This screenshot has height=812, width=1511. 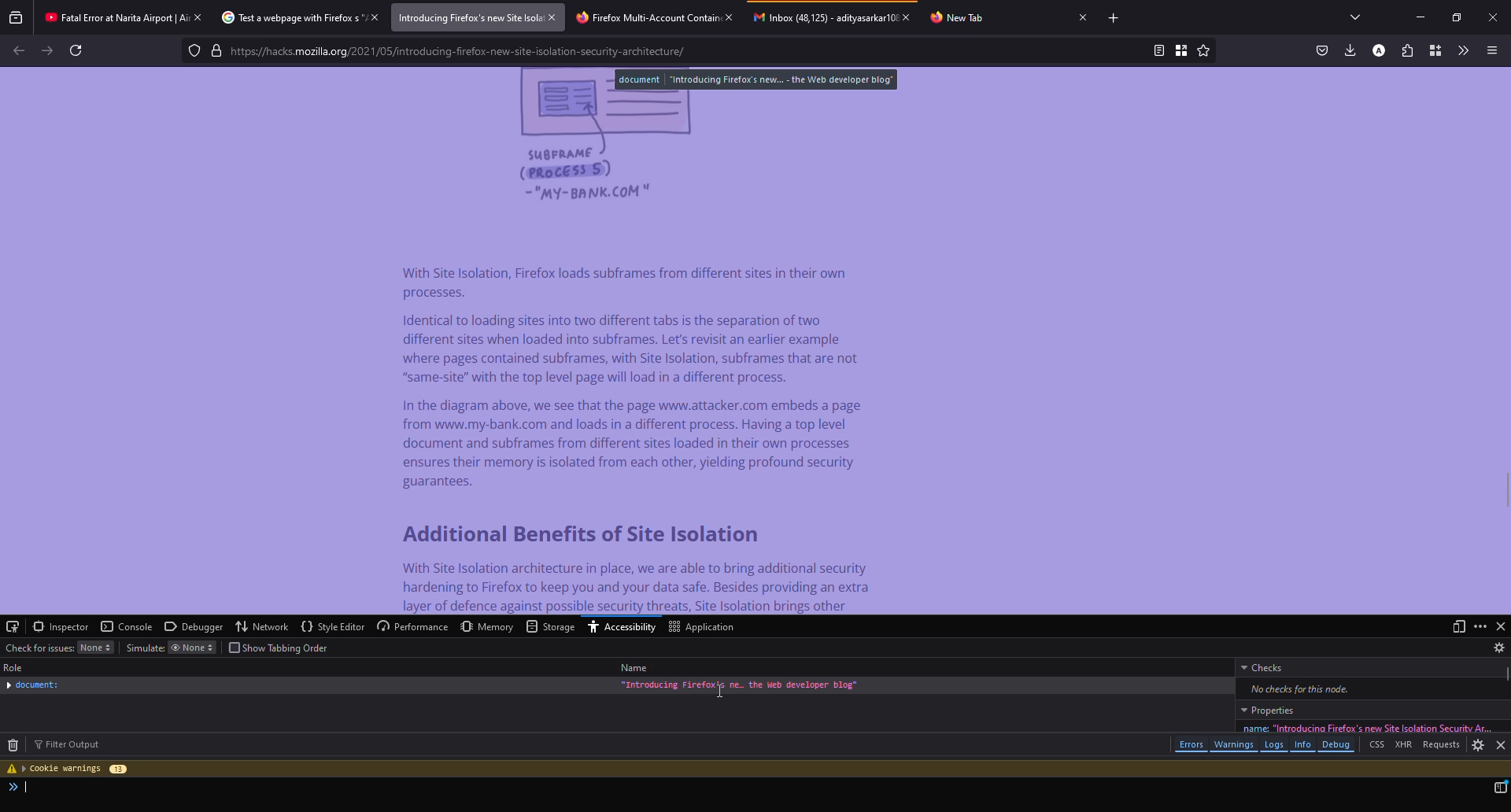 What do you see at coordinates (19, 50) in the screenshot?
I see `back` at bounding box center [19, 50].